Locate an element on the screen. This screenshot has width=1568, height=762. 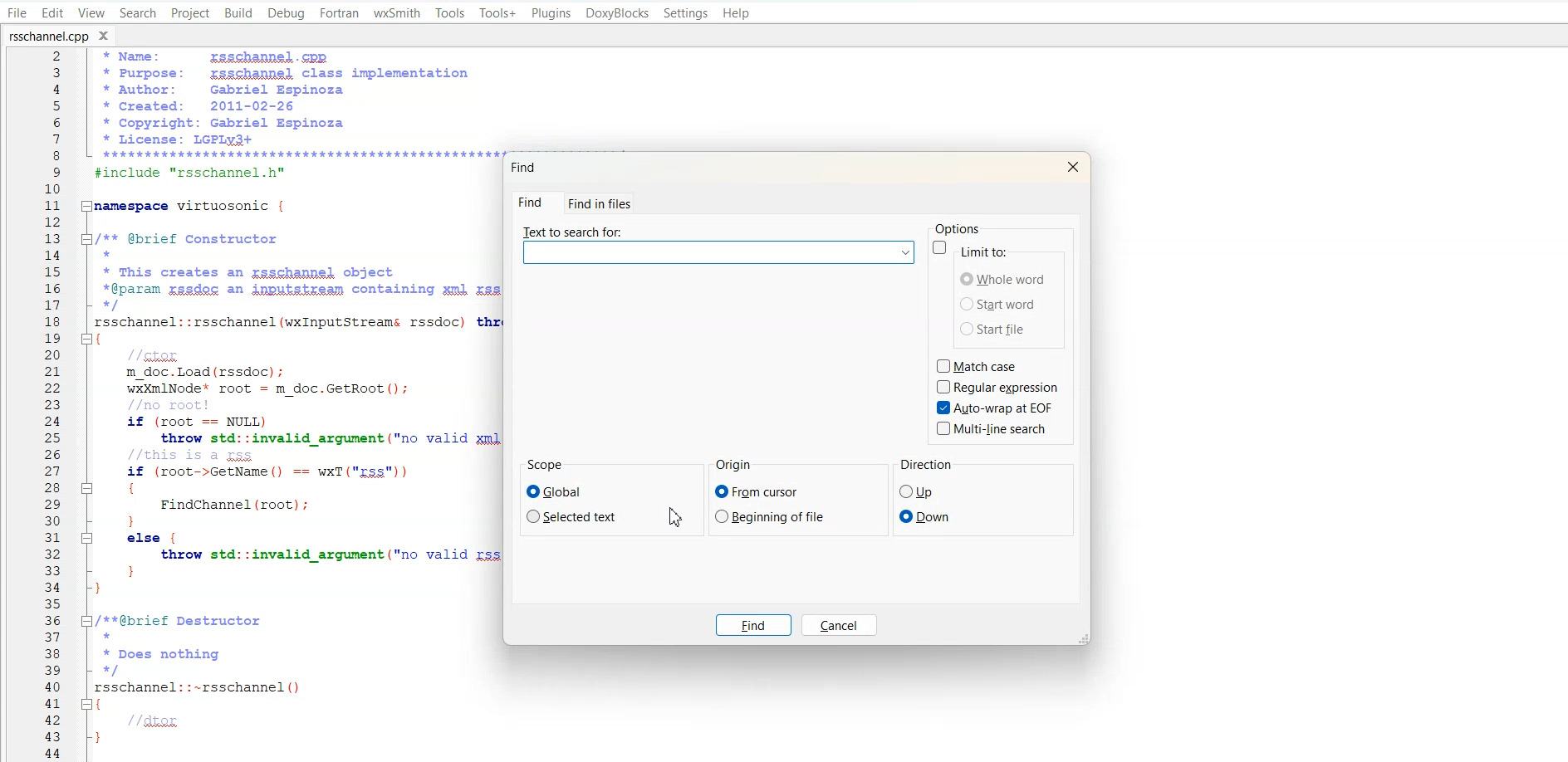
File is located at coordinates (17, 12).